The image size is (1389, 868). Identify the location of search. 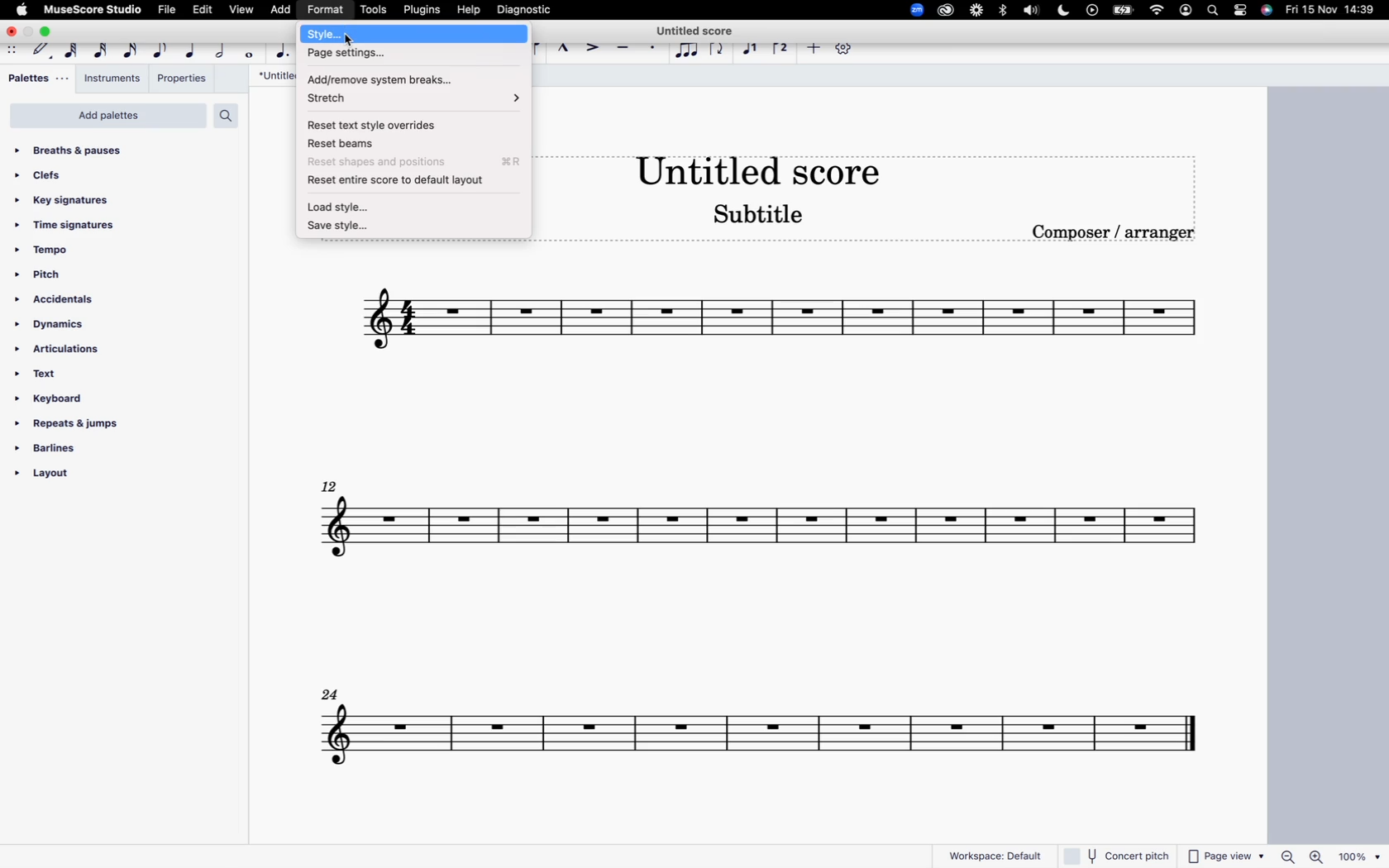
(231, 116).